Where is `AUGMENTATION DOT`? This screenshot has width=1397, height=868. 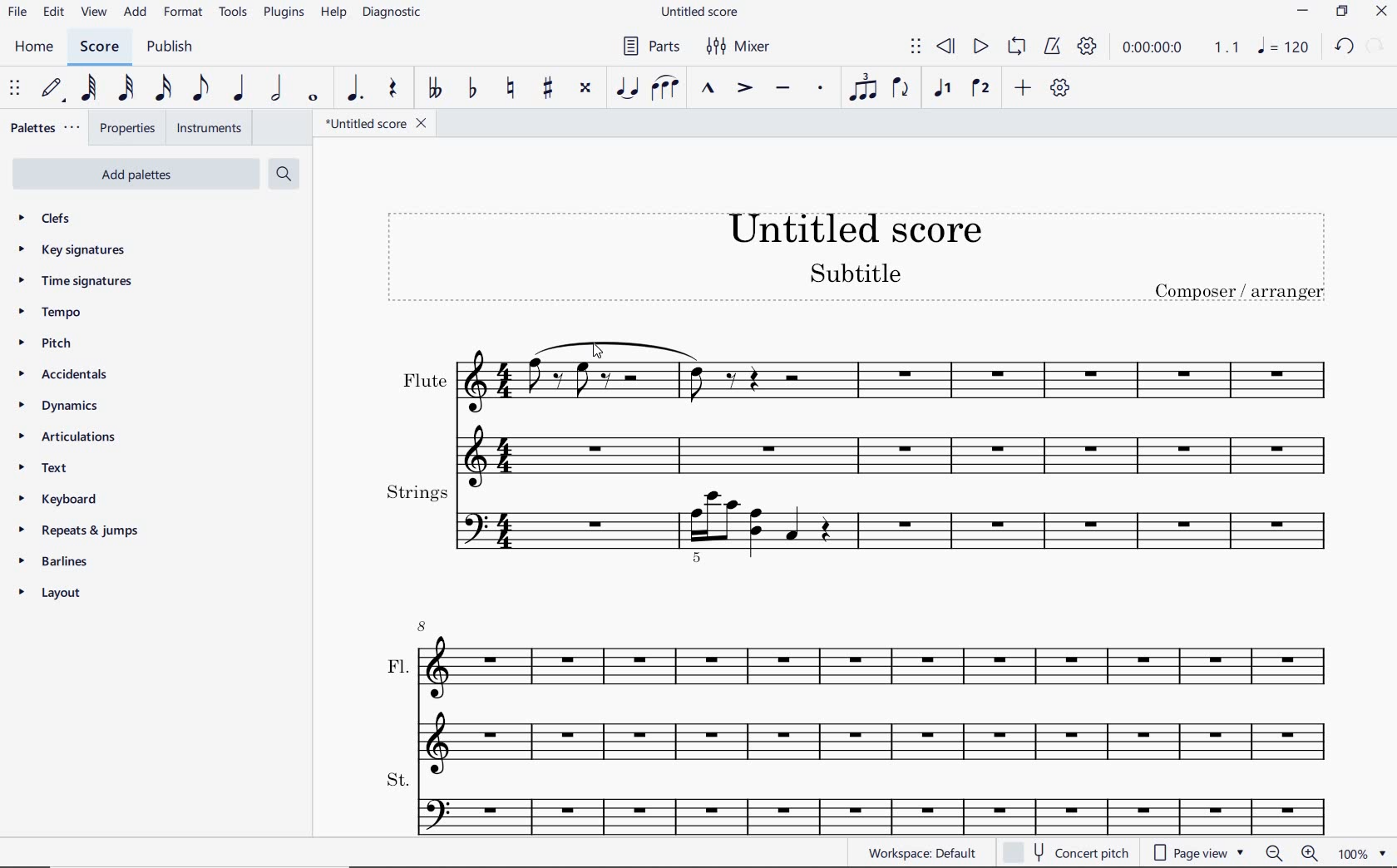
AUGMENTATION DOT is located at coordinates (355, 89).